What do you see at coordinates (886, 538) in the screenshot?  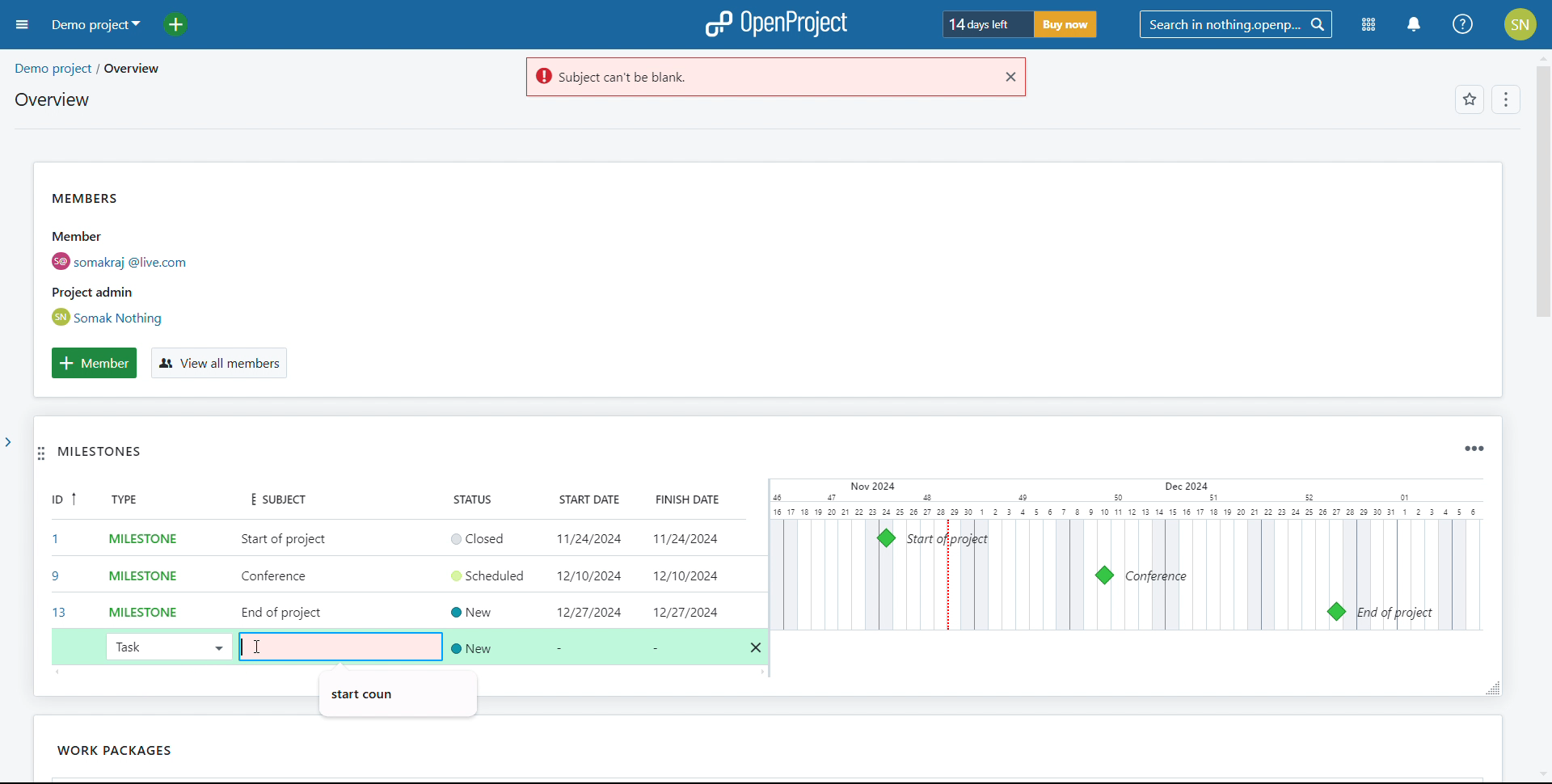 I see `milestone 1` at bounding box center [886, 538].